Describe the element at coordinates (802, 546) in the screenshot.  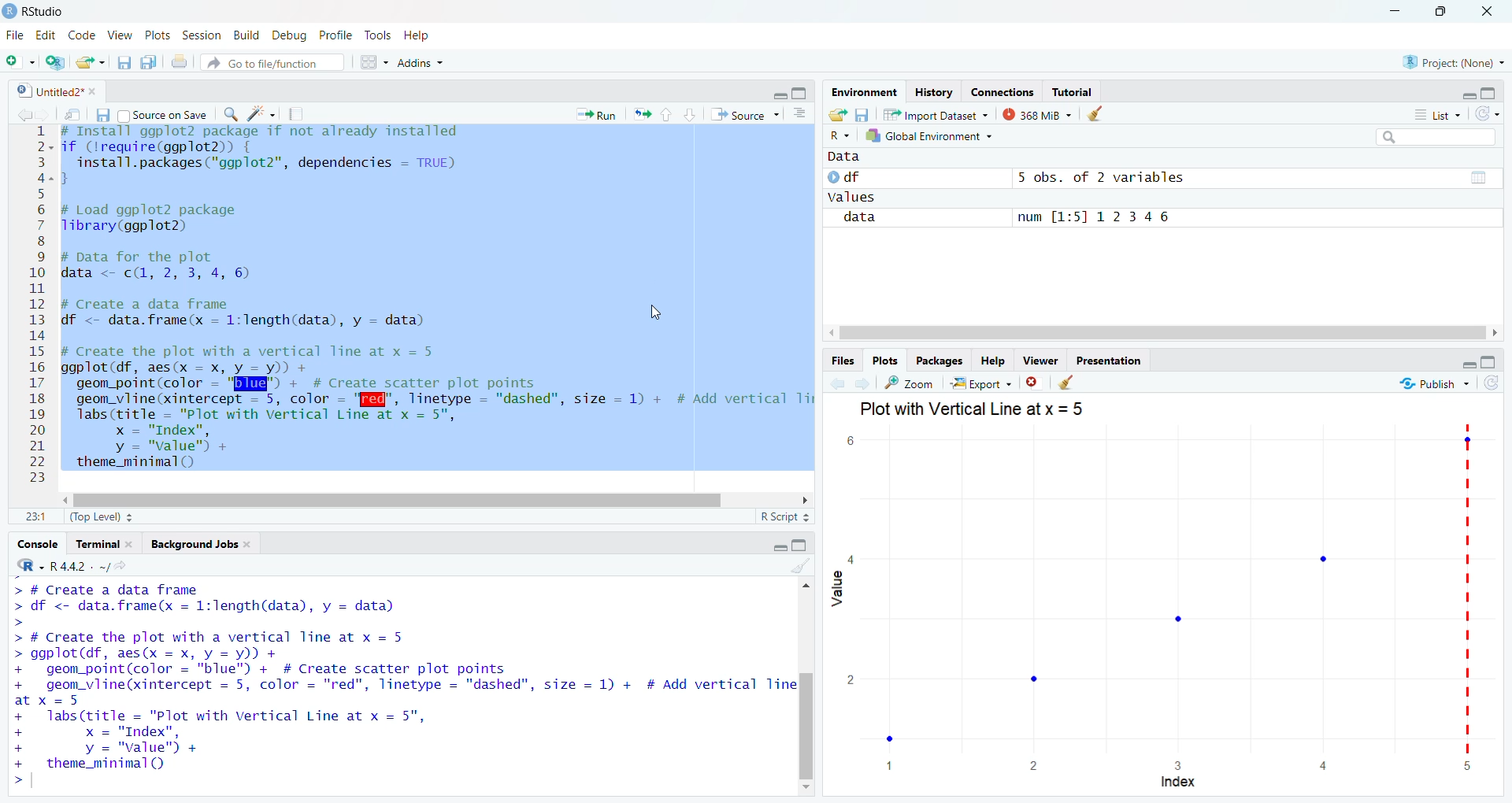
I see `maximise` at that location.